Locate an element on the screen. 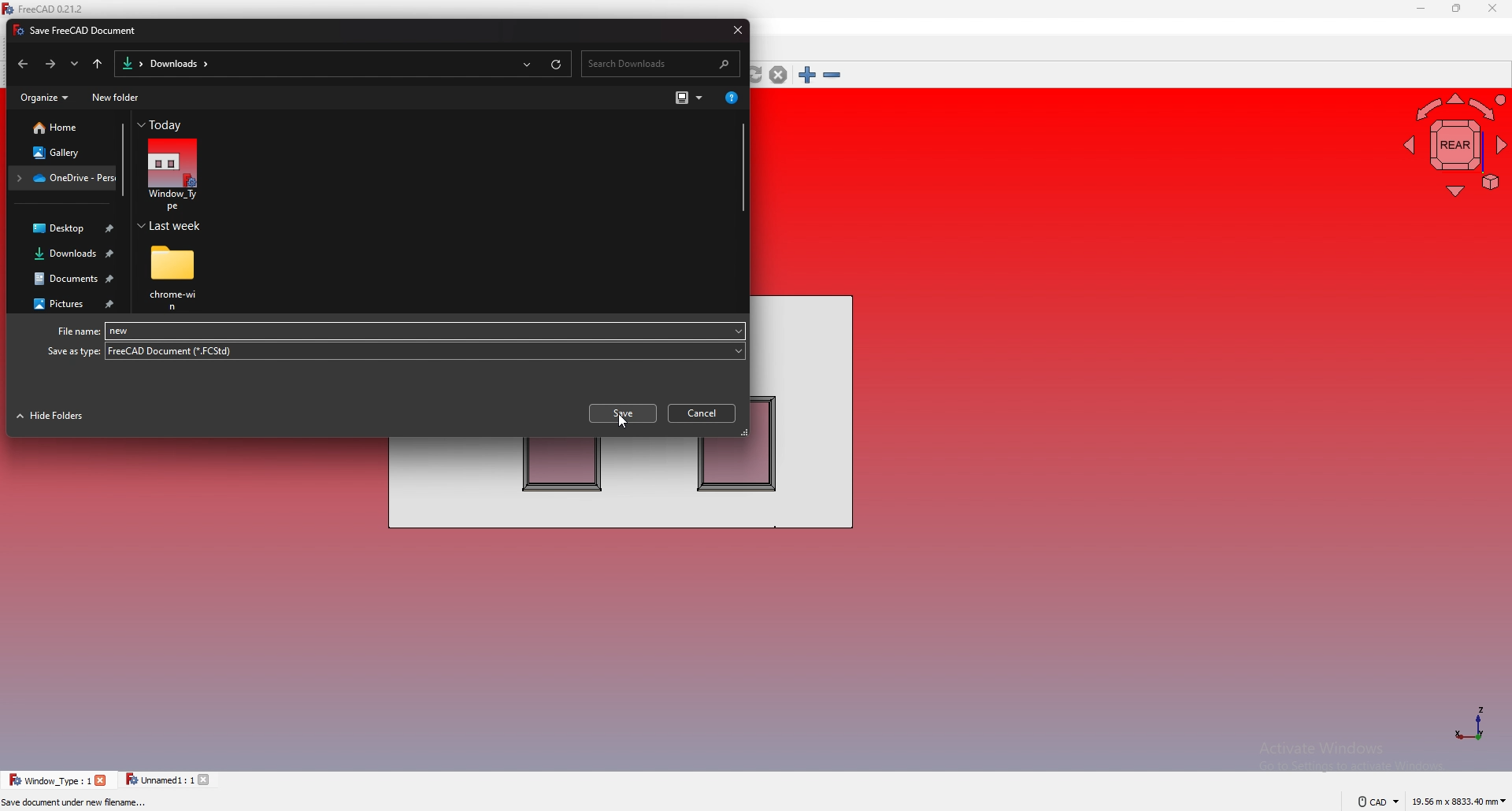 The width and height of the screenshot is (1512, 811). CAD is located at coordinates (1372, 801).